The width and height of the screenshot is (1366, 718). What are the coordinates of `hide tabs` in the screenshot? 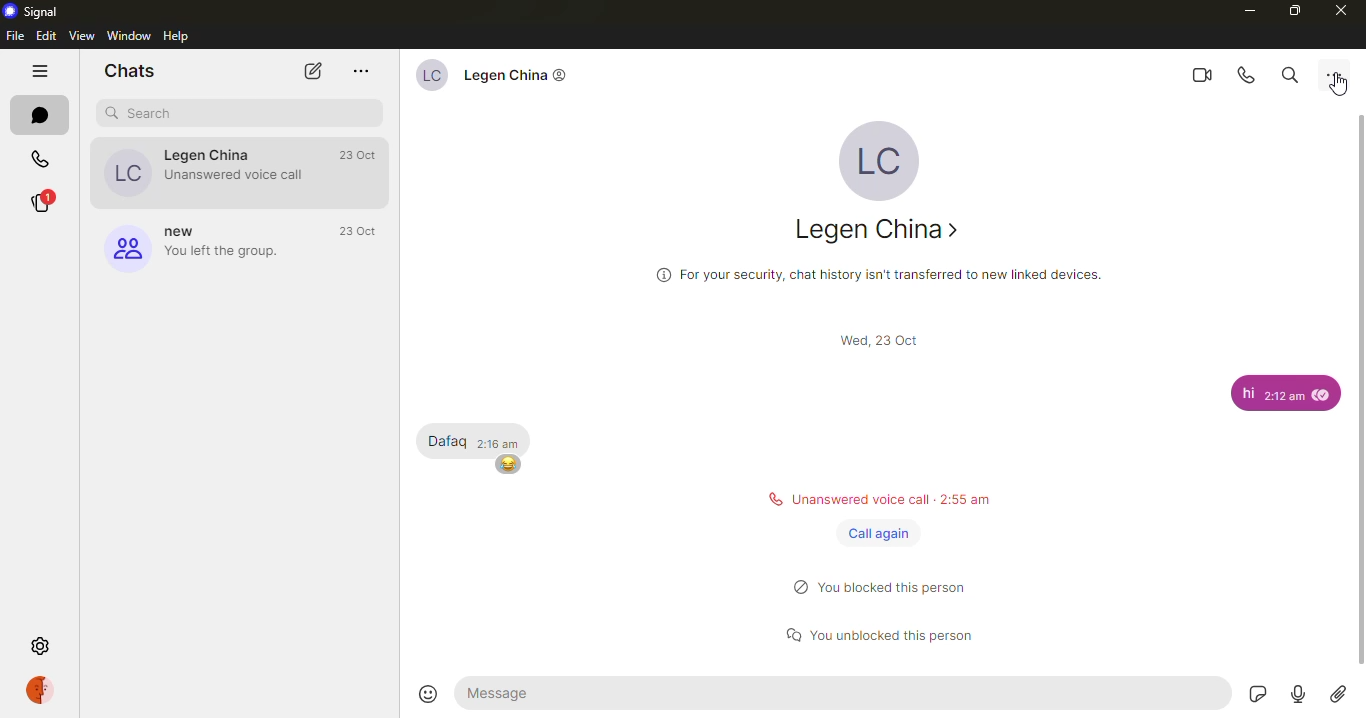 It's located at (43, 69).